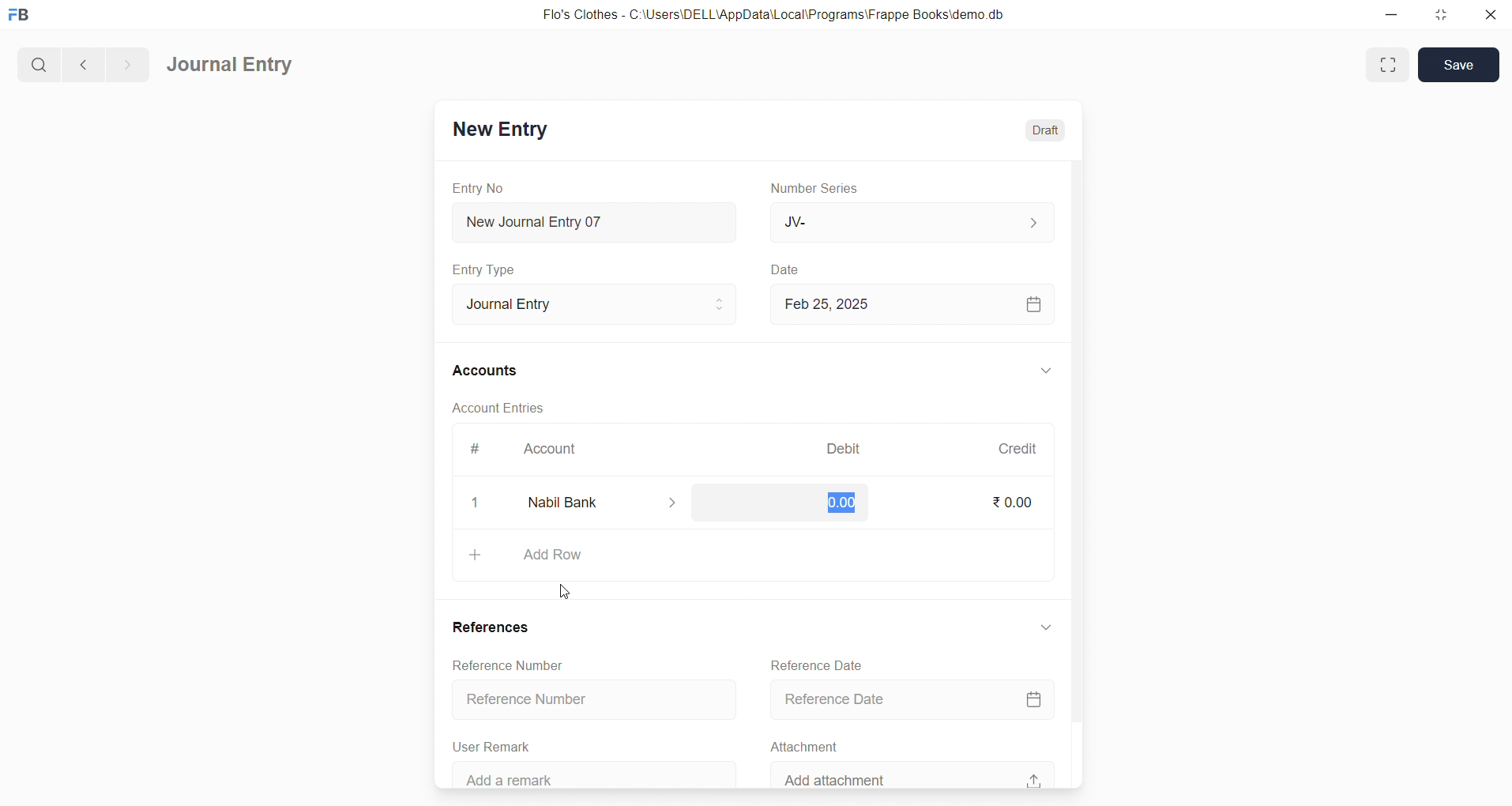 The image size is (1512, 806). What do you see at coordinates (1459, 65) in the screenshot?
I see `Save` at bounding box center [1459, 65].